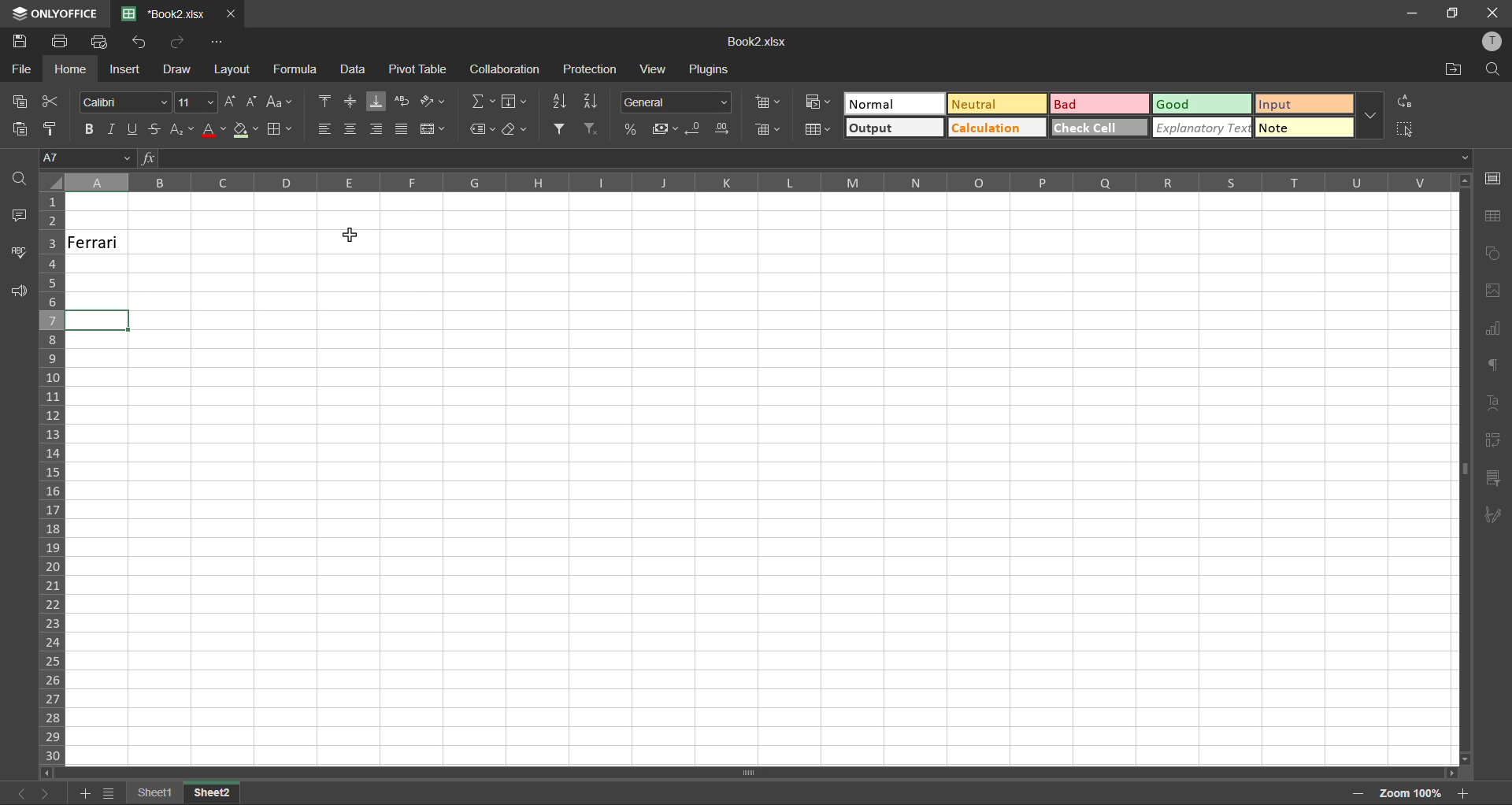 Image resolution: width=1512 pixels, height=805 pixels. Describe the element at coordinates (299, 72) in the screenshot. I see `formula` at that location.